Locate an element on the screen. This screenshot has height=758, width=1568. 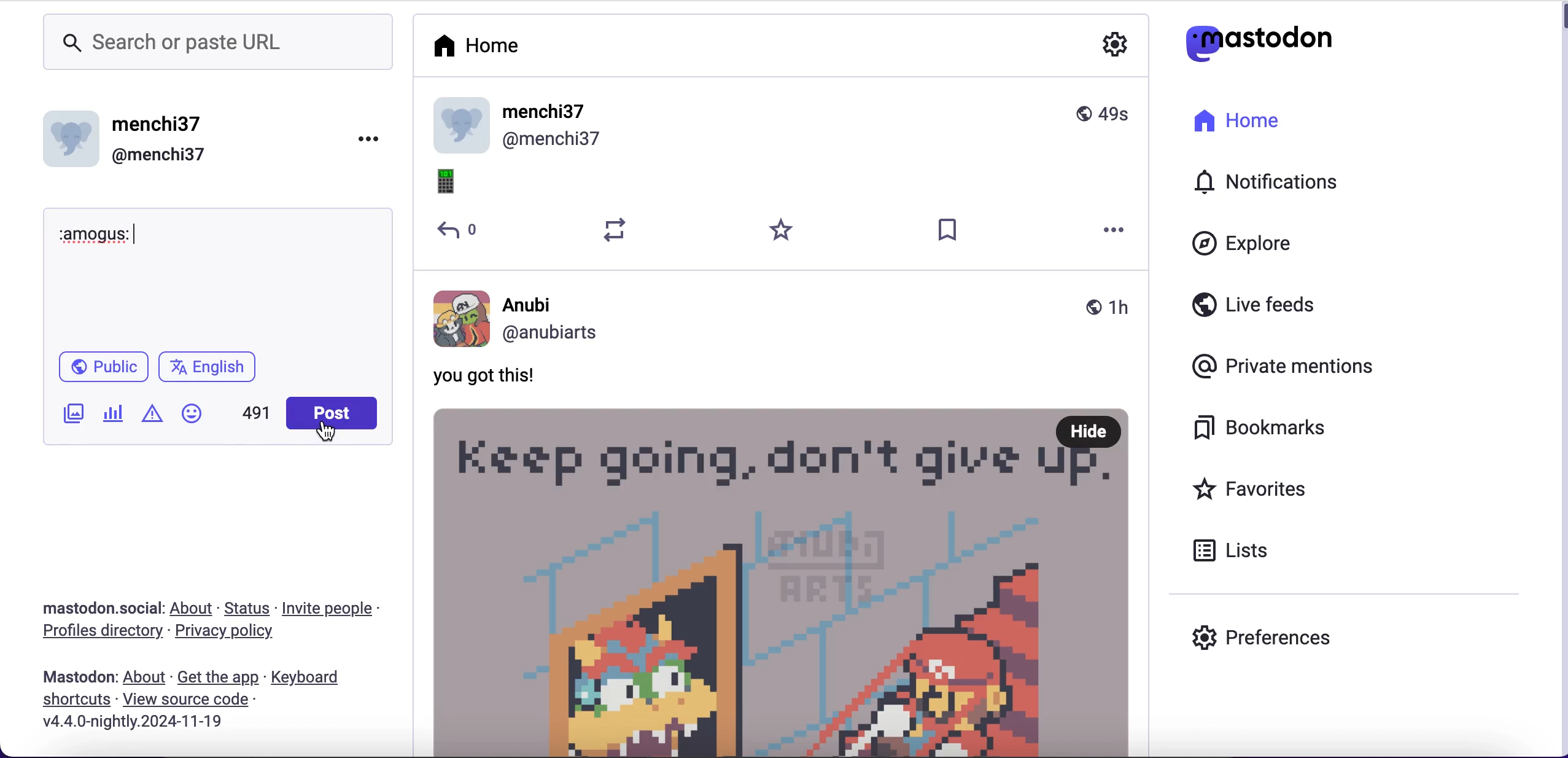
mastodon logo is located at coordinates (1252, 42).